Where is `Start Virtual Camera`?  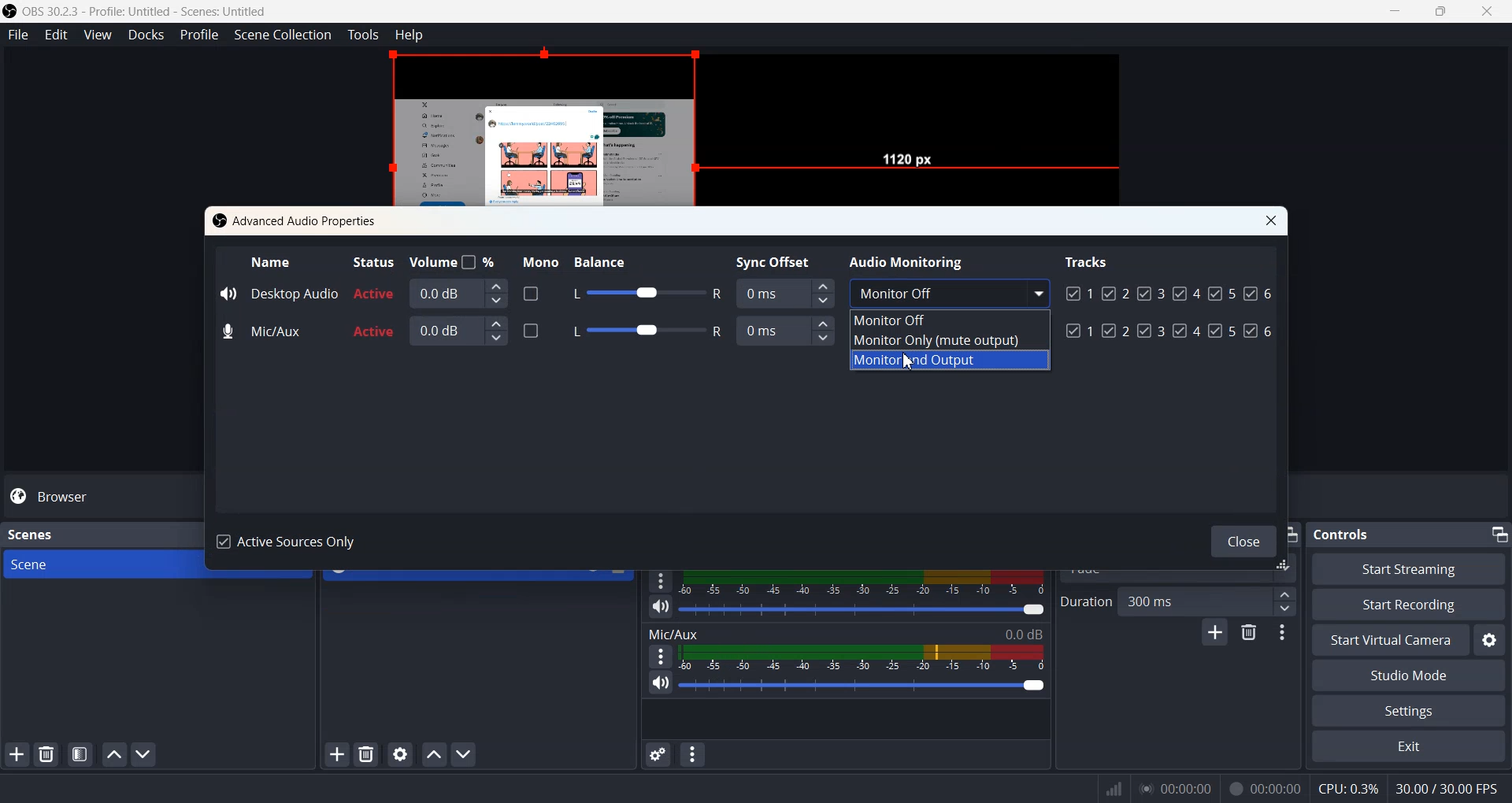
Start Virtual Camera is located at coordinates (1388, 640).